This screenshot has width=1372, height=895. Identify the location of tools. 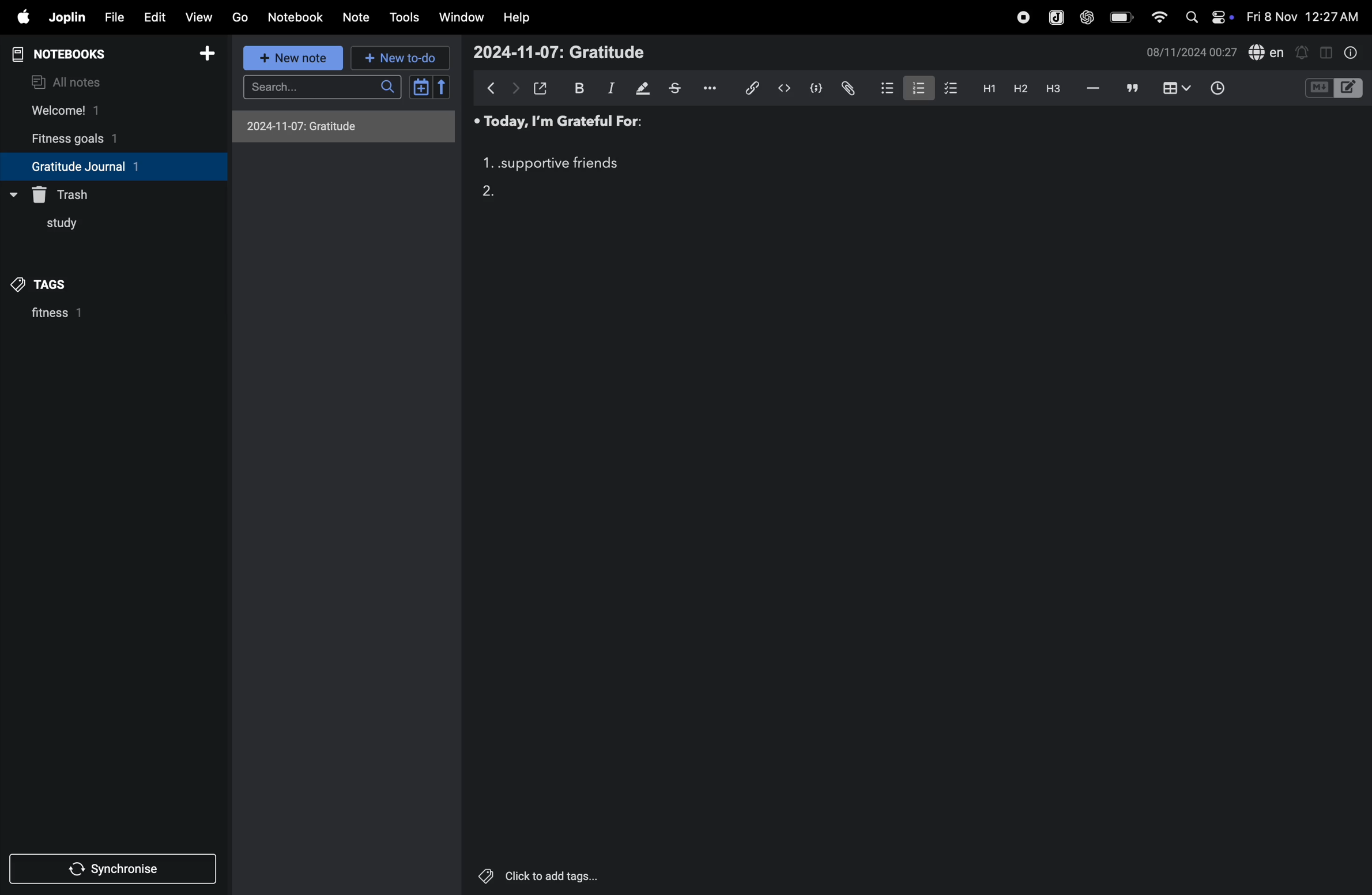
(404, 18).